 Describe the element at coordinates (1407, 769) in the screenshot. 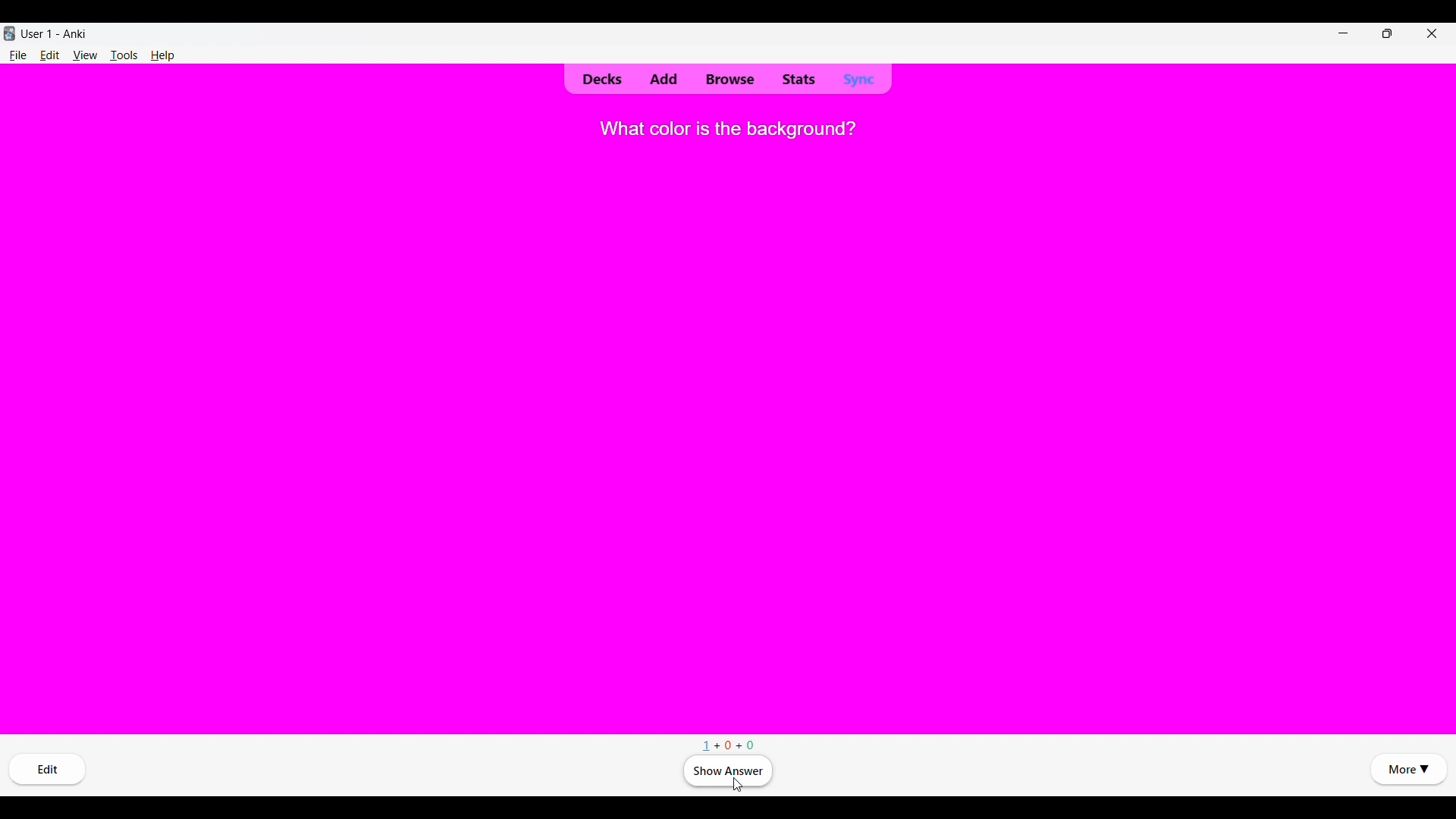

I see `More options` at that location.